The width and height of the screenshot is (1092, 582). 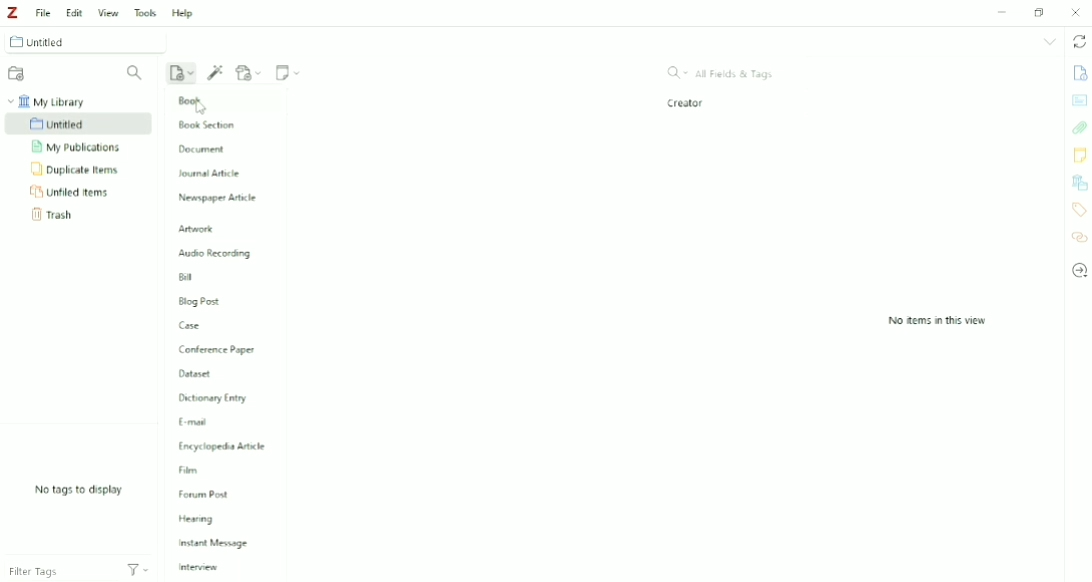 What do you see at coordinates (137, 73) in the screenshot?
I see `Filter Collections` at bounding box center [137, 73].